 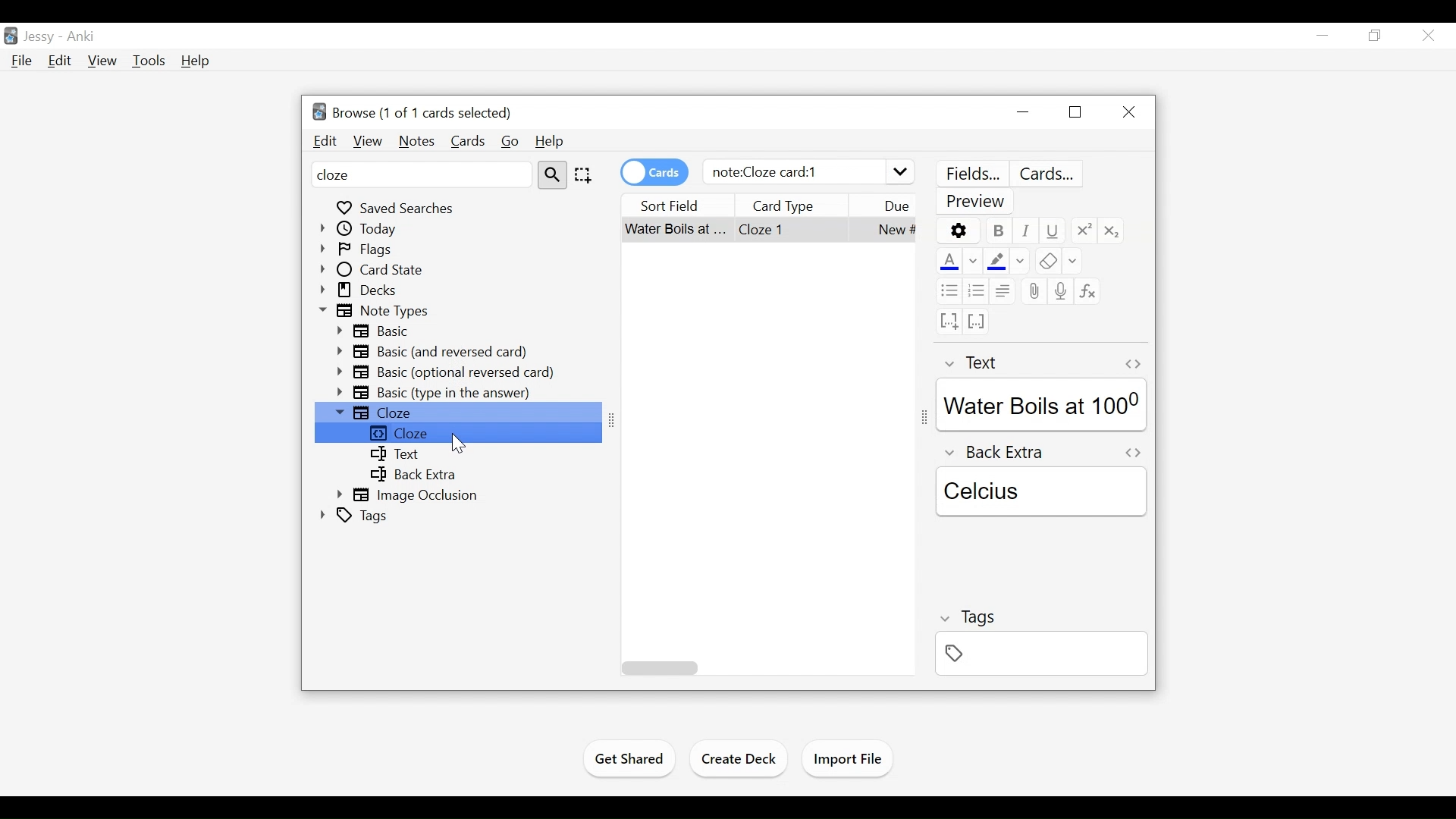 What do you see at coordinates (1053, 231) in the screenshot?
I see `Underline` at bounding box center [1053, 231].